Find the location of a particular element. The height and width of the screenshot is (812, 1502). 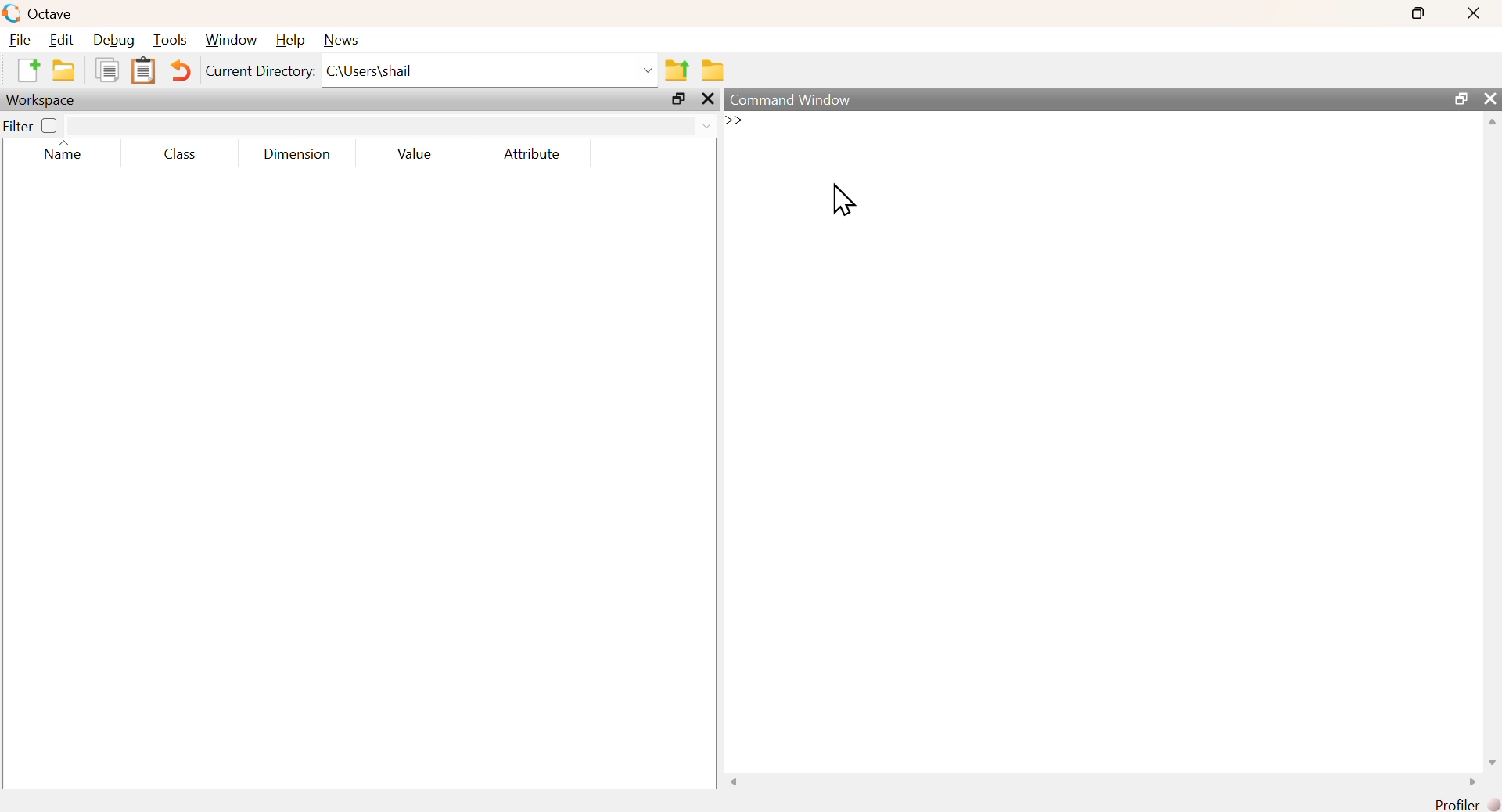

C:\Users\shail  is located at coordinates (490, 70).